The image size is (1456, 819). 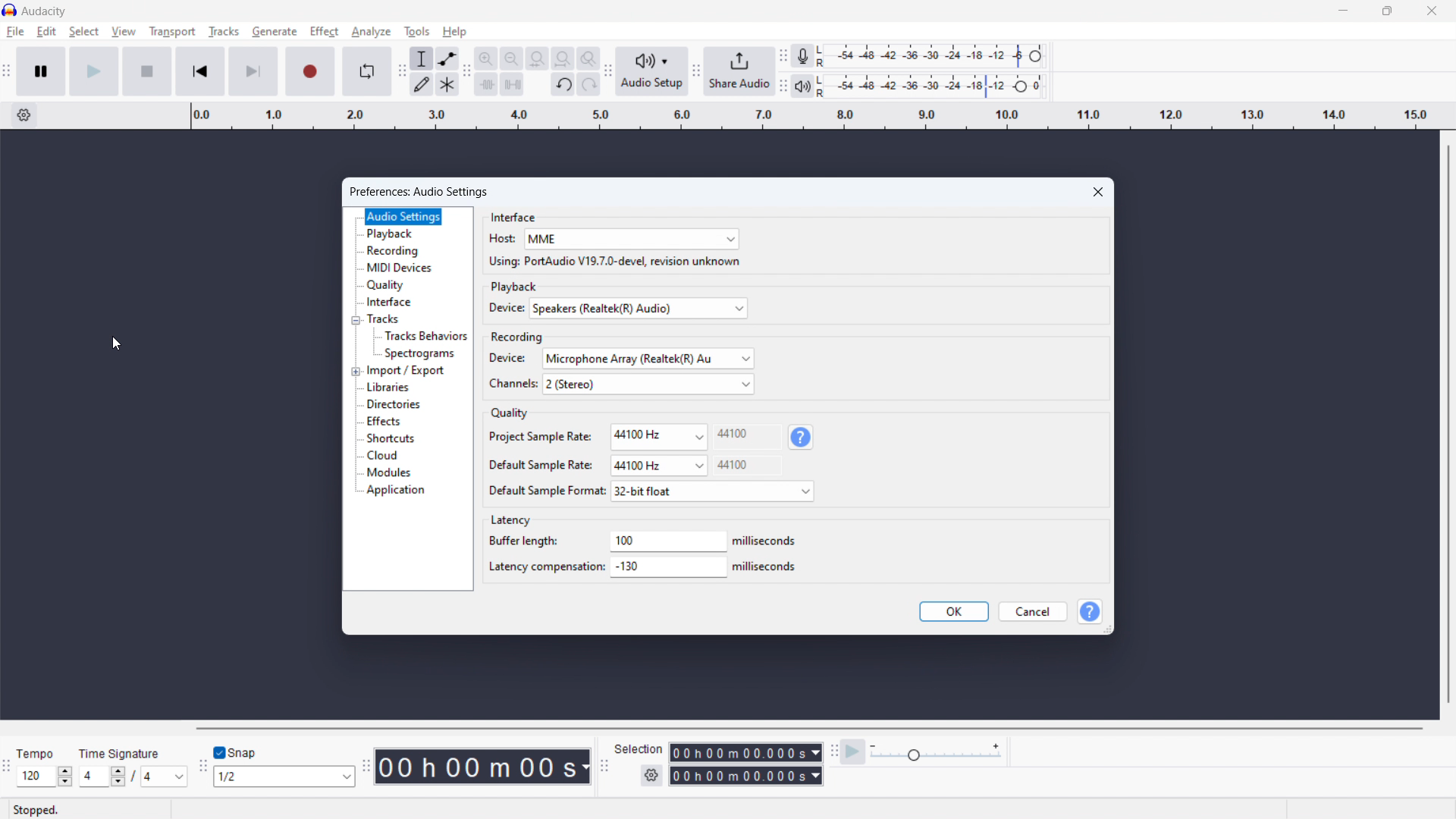 I want to click on timeline settings, so click(x=24, y=116).